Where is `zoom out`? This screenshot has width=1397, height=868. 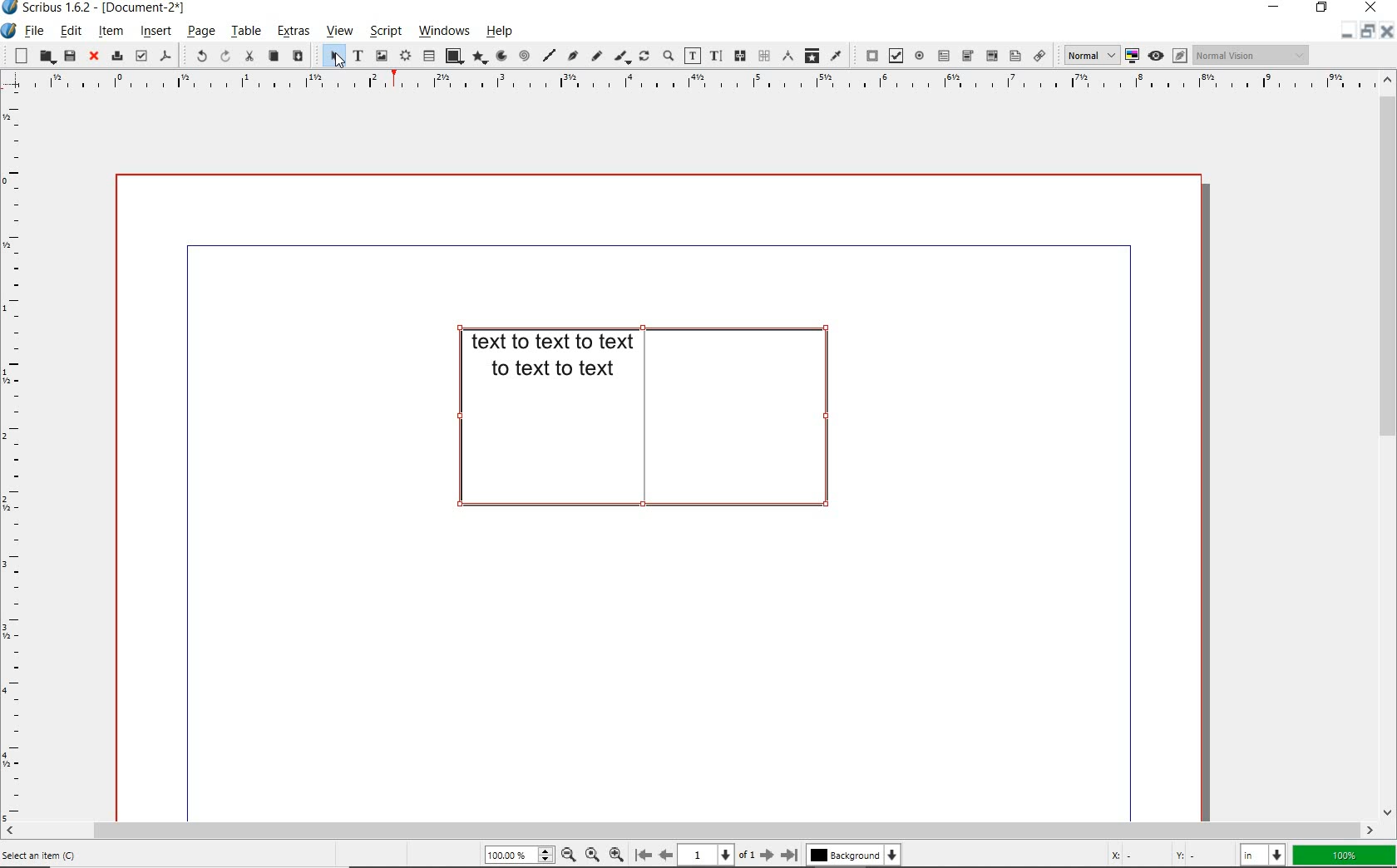 zoom out is located at coordinates (617, 854).